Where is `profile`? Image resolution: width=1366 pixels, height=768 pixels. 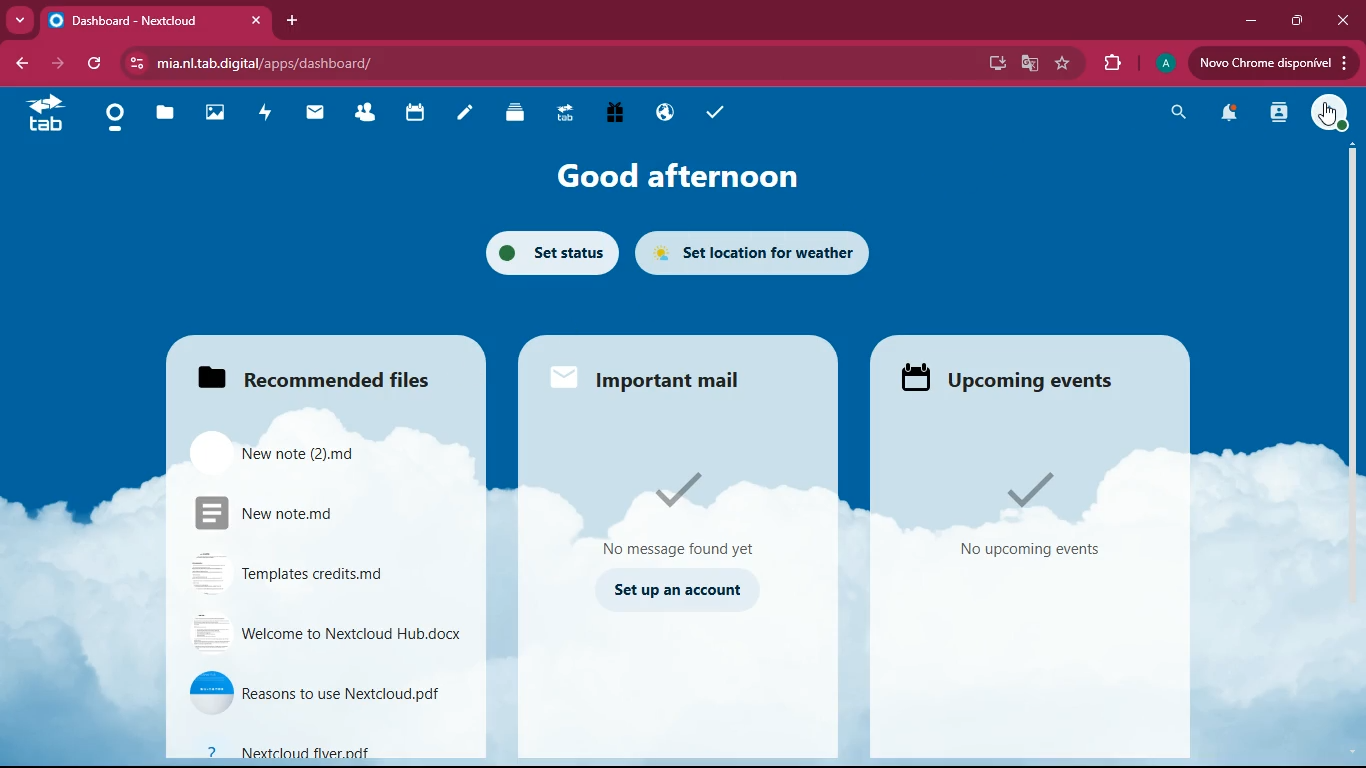
profile is located at coordinates (1164, 64).